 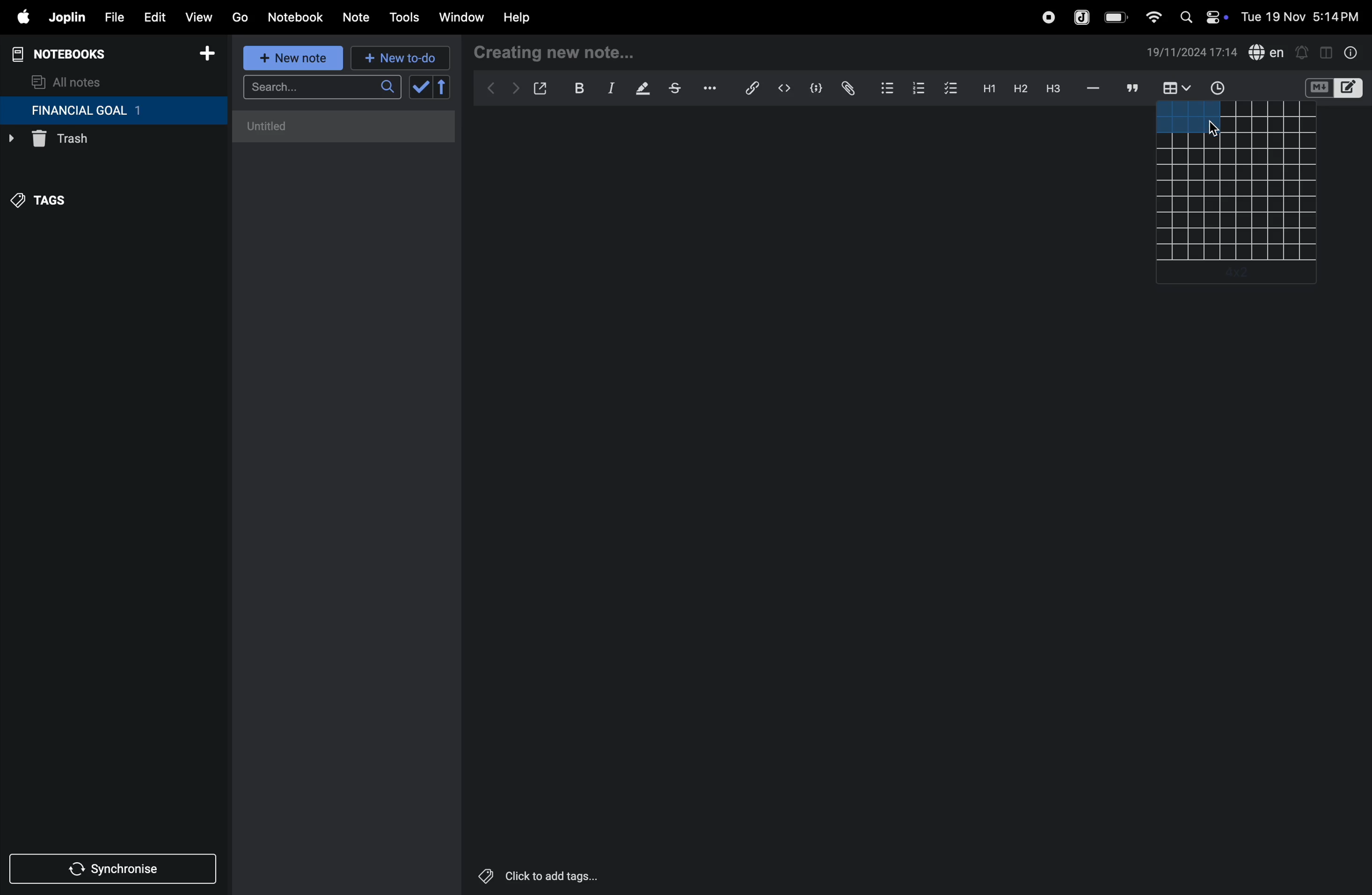 What do you see at coordinates (1301, 52) in the screenshot?
I see `alert` at bounding box center [1301, 52].